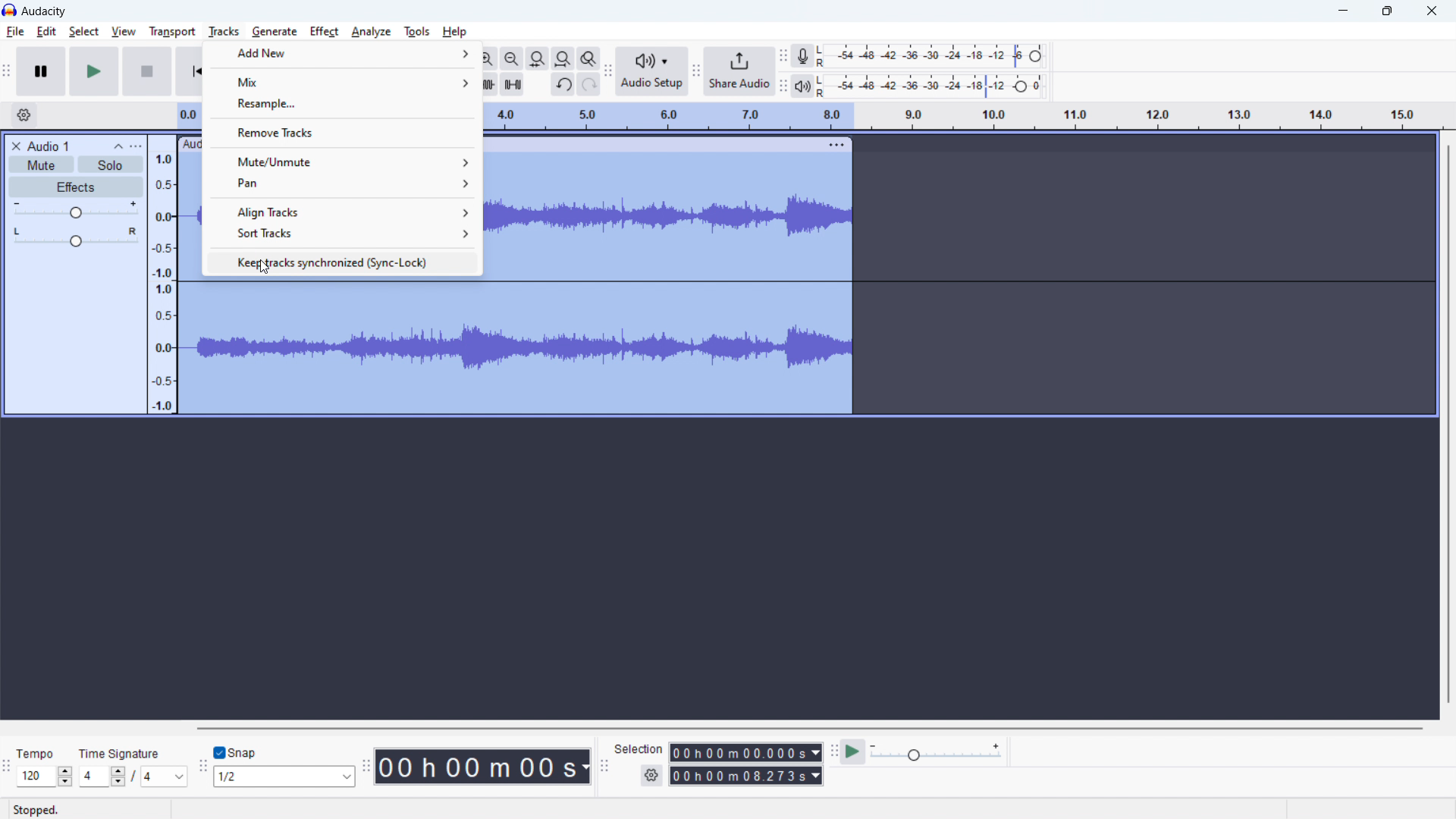 Image resolution: width=1456 pixels, height=819 pixels. What do you see at coordinates (342, 103) in the screenshot?
I see `resample` at bounding box center [342, 103].